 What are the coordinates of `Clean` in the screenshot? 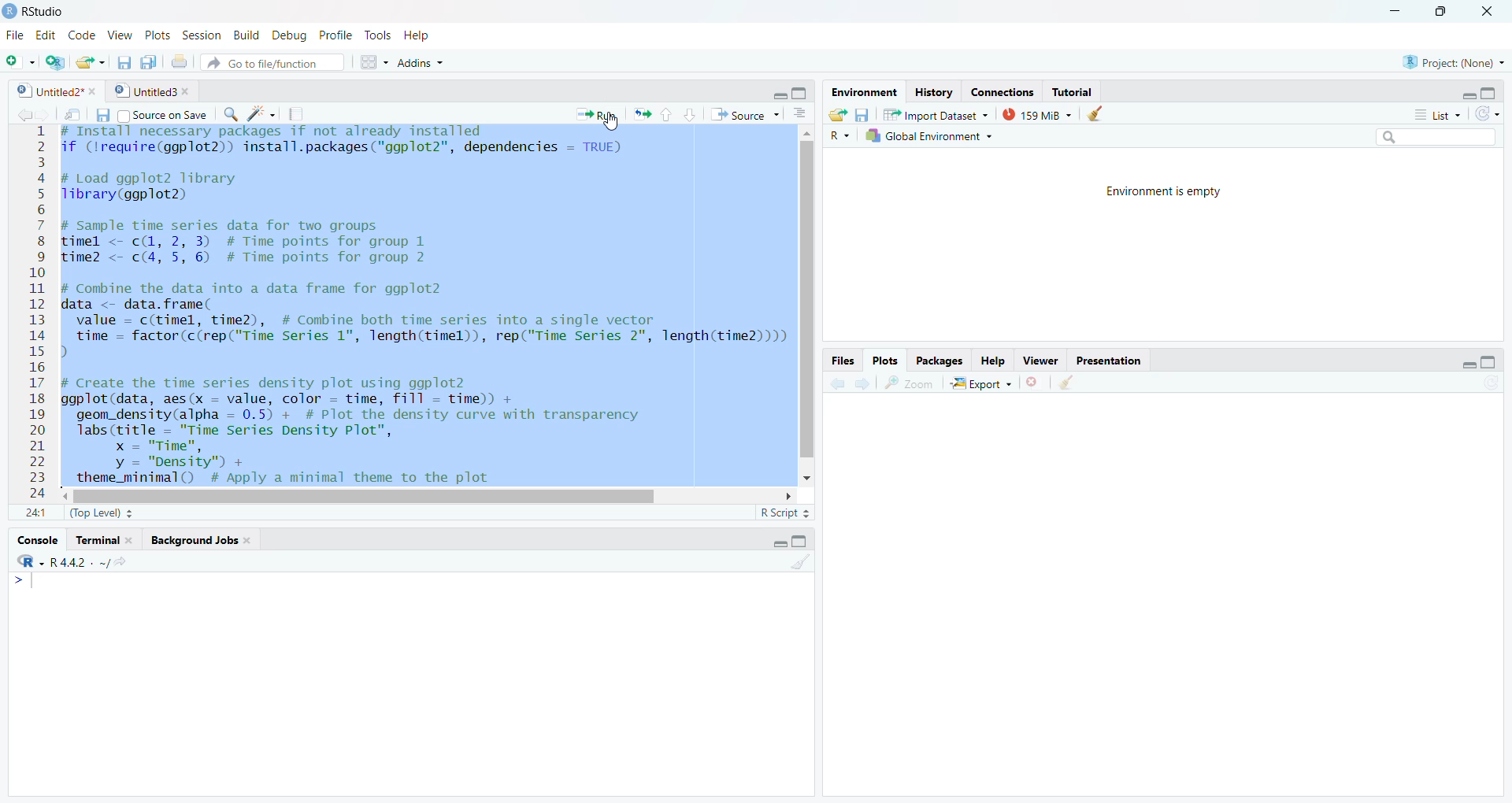 It's located at (799, 561).